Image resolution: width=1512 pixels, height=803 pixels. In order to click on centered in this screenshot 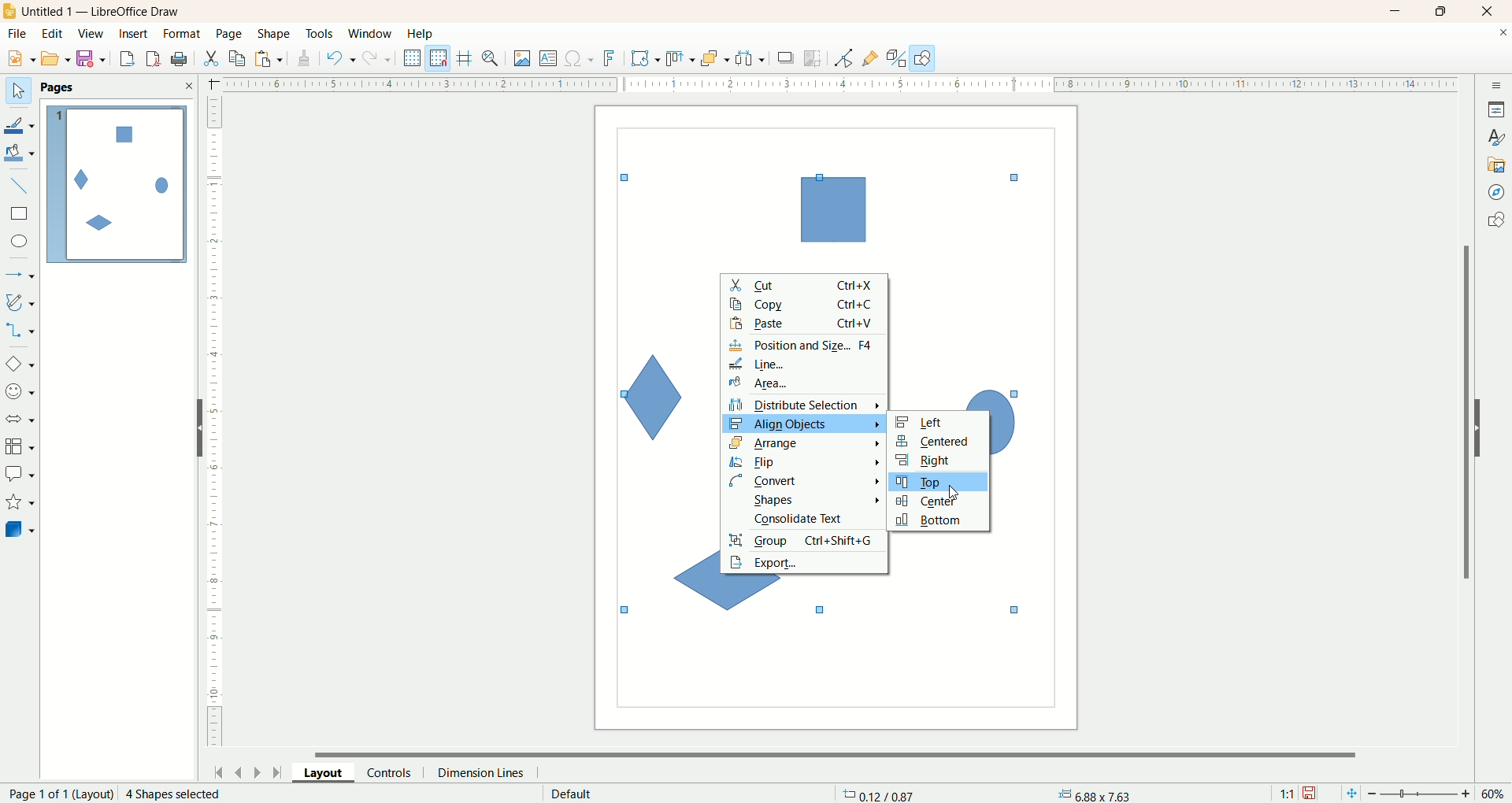, I will do `click(939, 442)`.